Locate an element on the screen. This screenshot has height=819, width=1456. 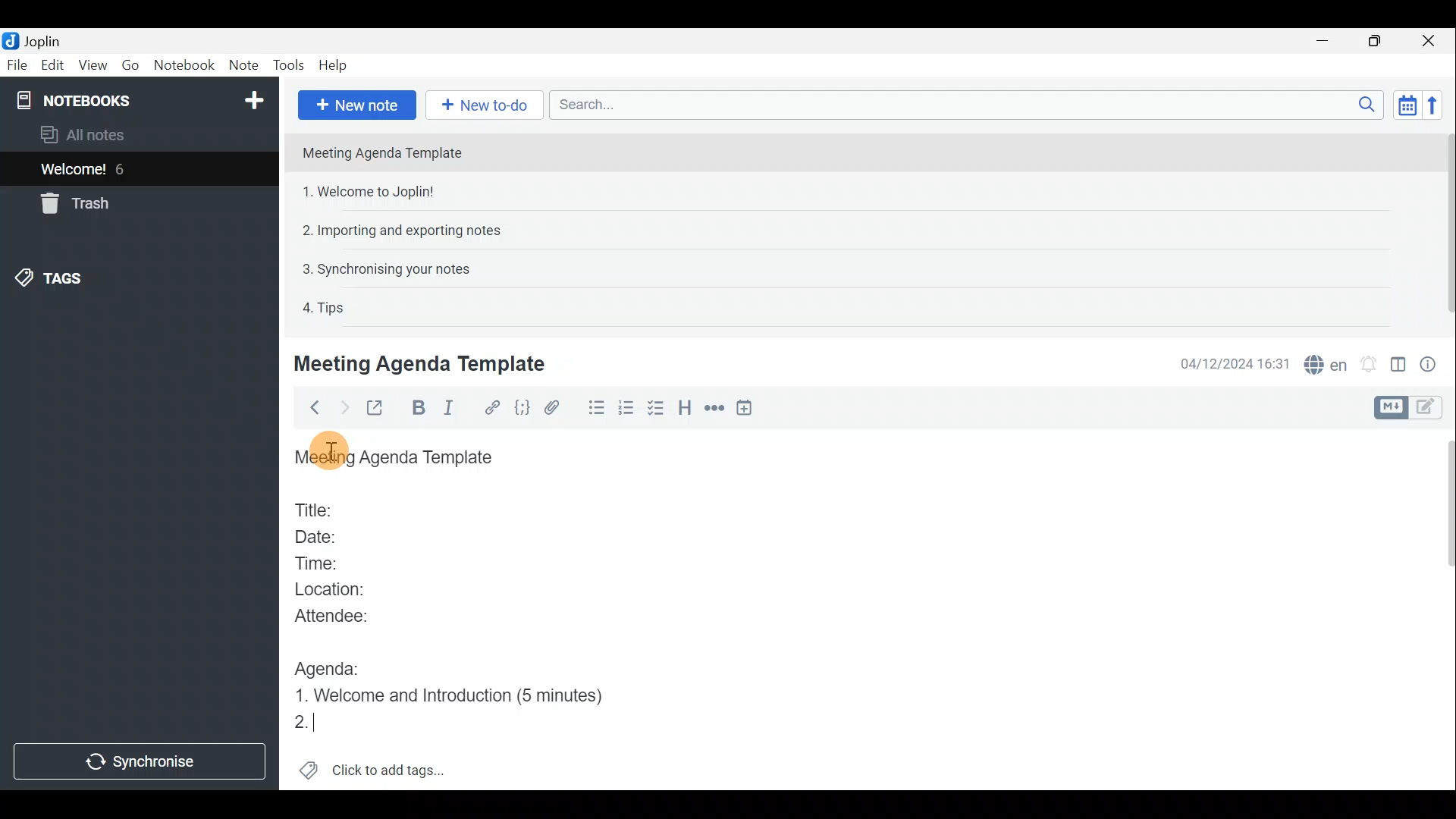
Tools is located at coordinates (284, 63).